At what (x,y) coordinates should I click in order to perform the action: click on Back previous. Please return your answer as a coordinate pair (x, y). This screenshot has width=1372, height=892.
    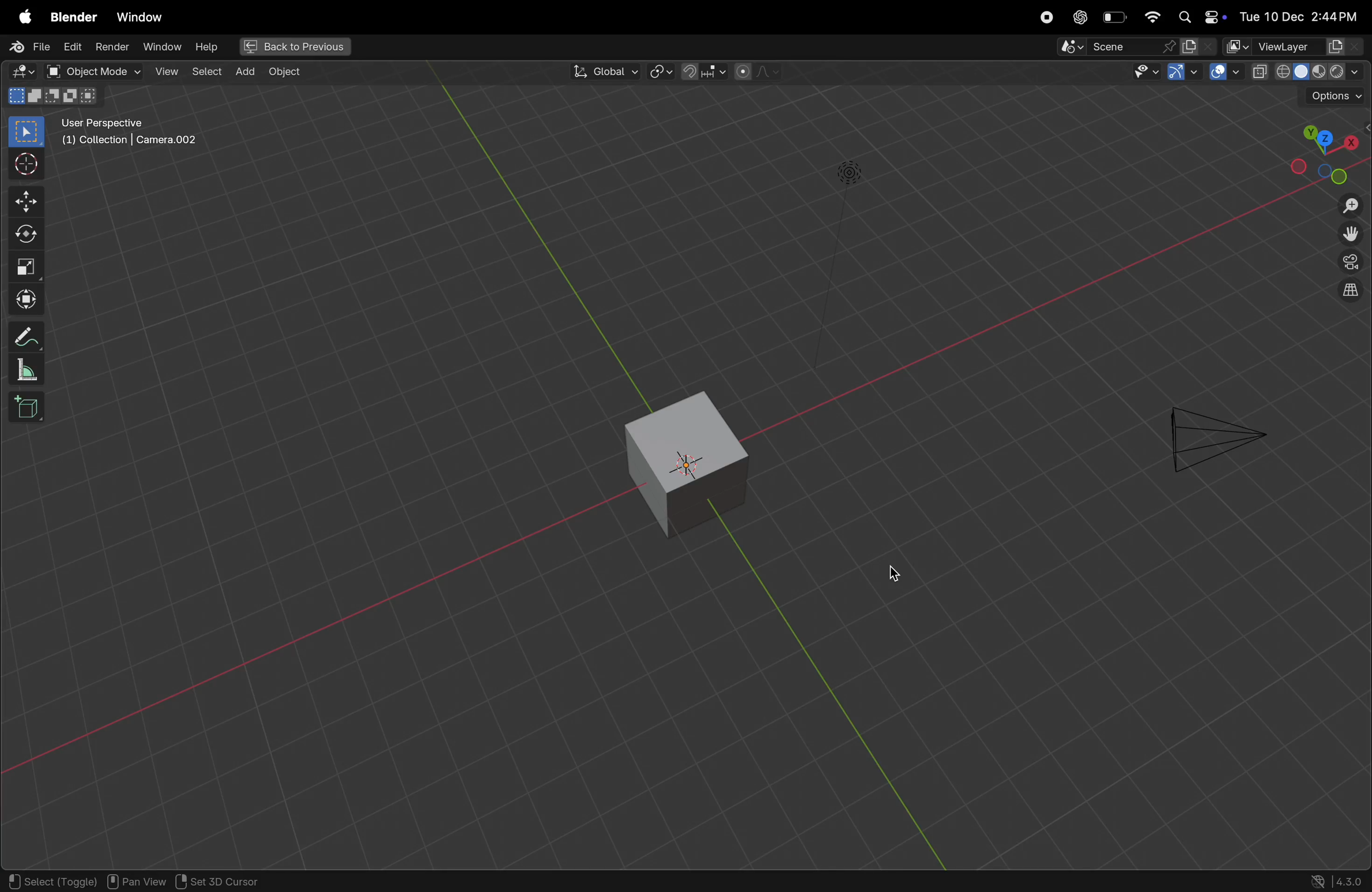
    Looking at the image, I should click on (295, 47).